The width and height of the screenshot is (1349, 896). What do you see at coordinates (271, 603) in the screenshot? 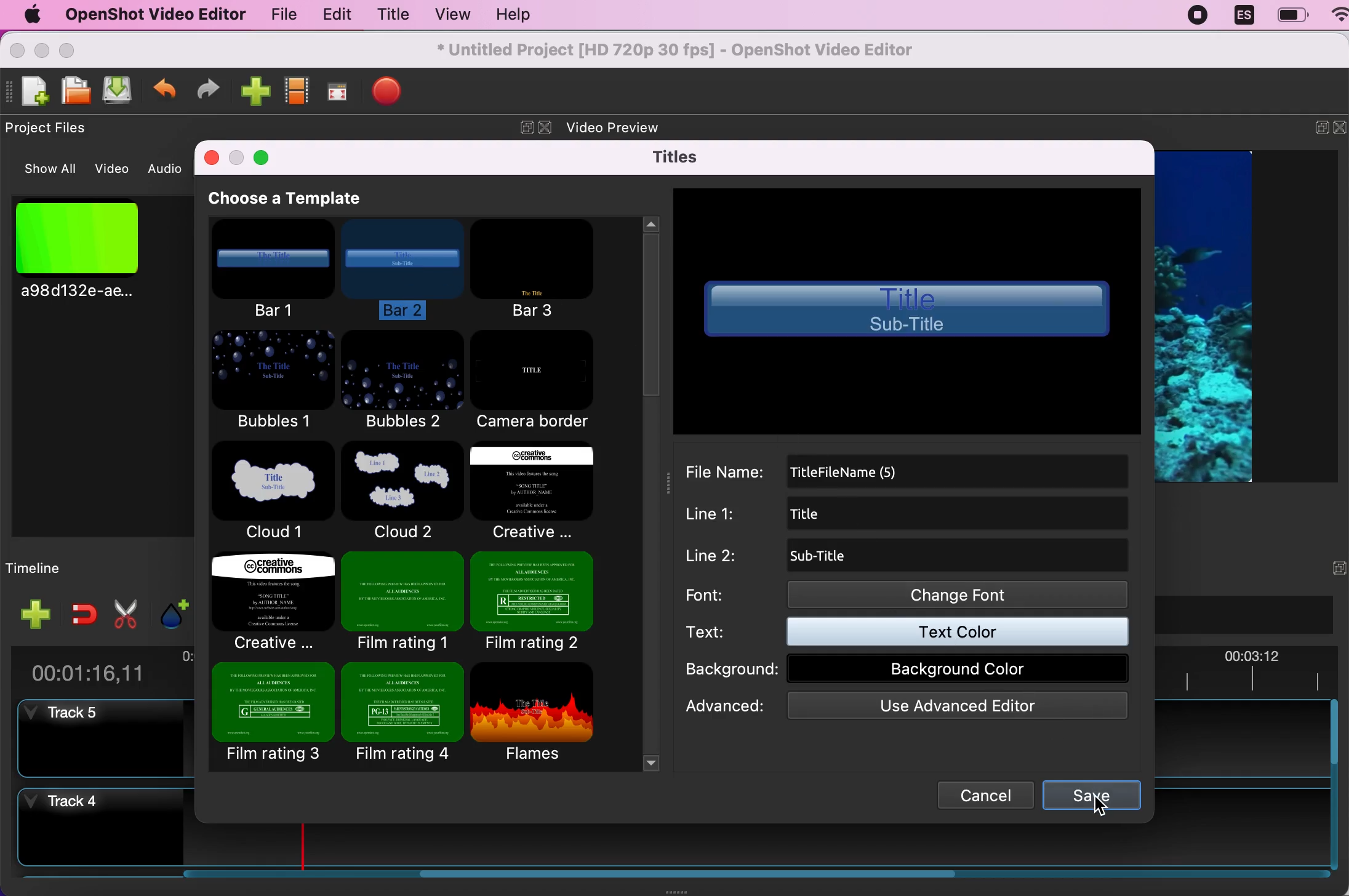
I see `creative commons` at bounding box center [271, 603].